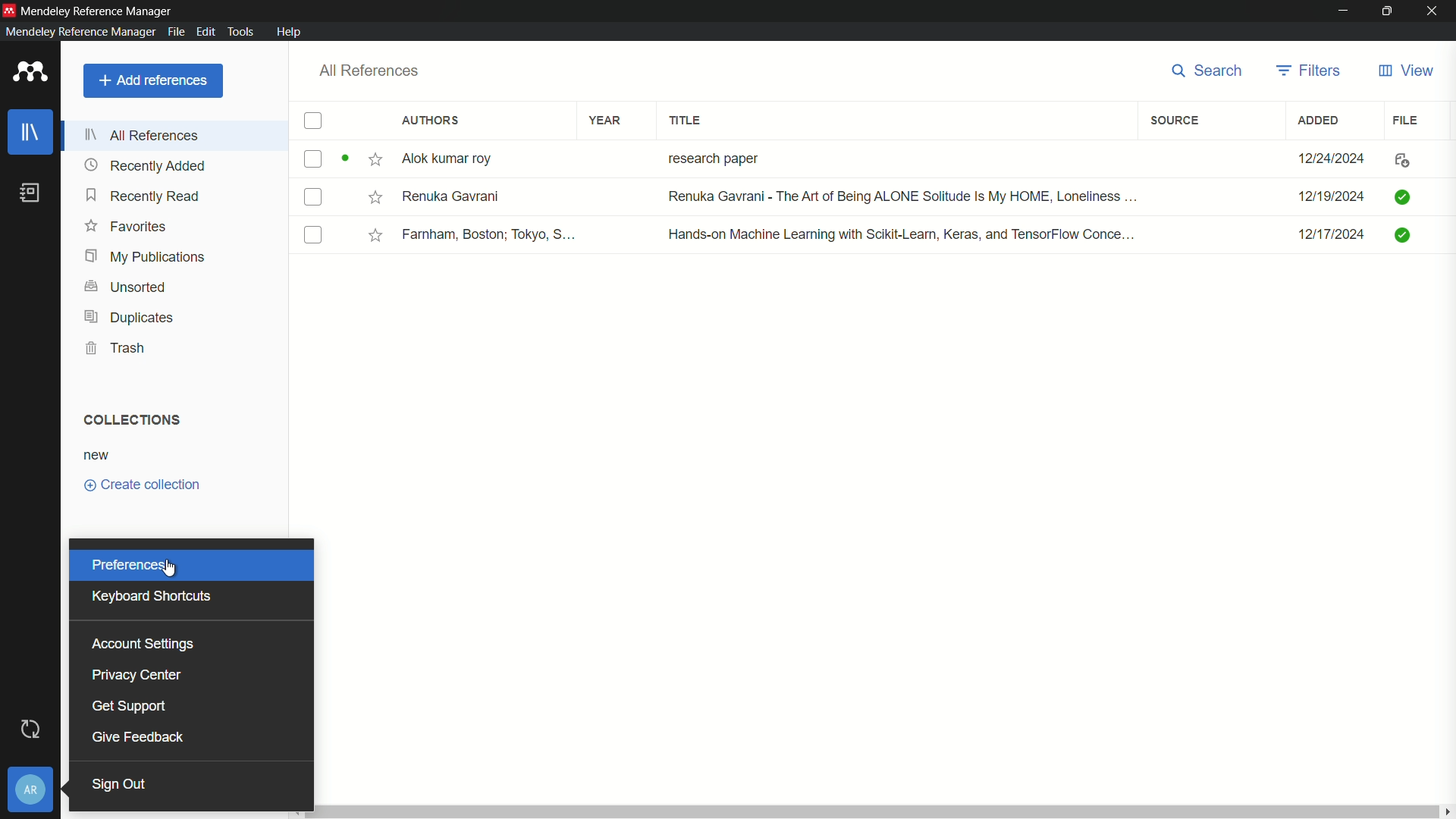 This screenshot has width=1456, height=819. What do you see at coordinates (31, 72) in the screenshot?
I see `app icon` at bounding box center [31, 72].